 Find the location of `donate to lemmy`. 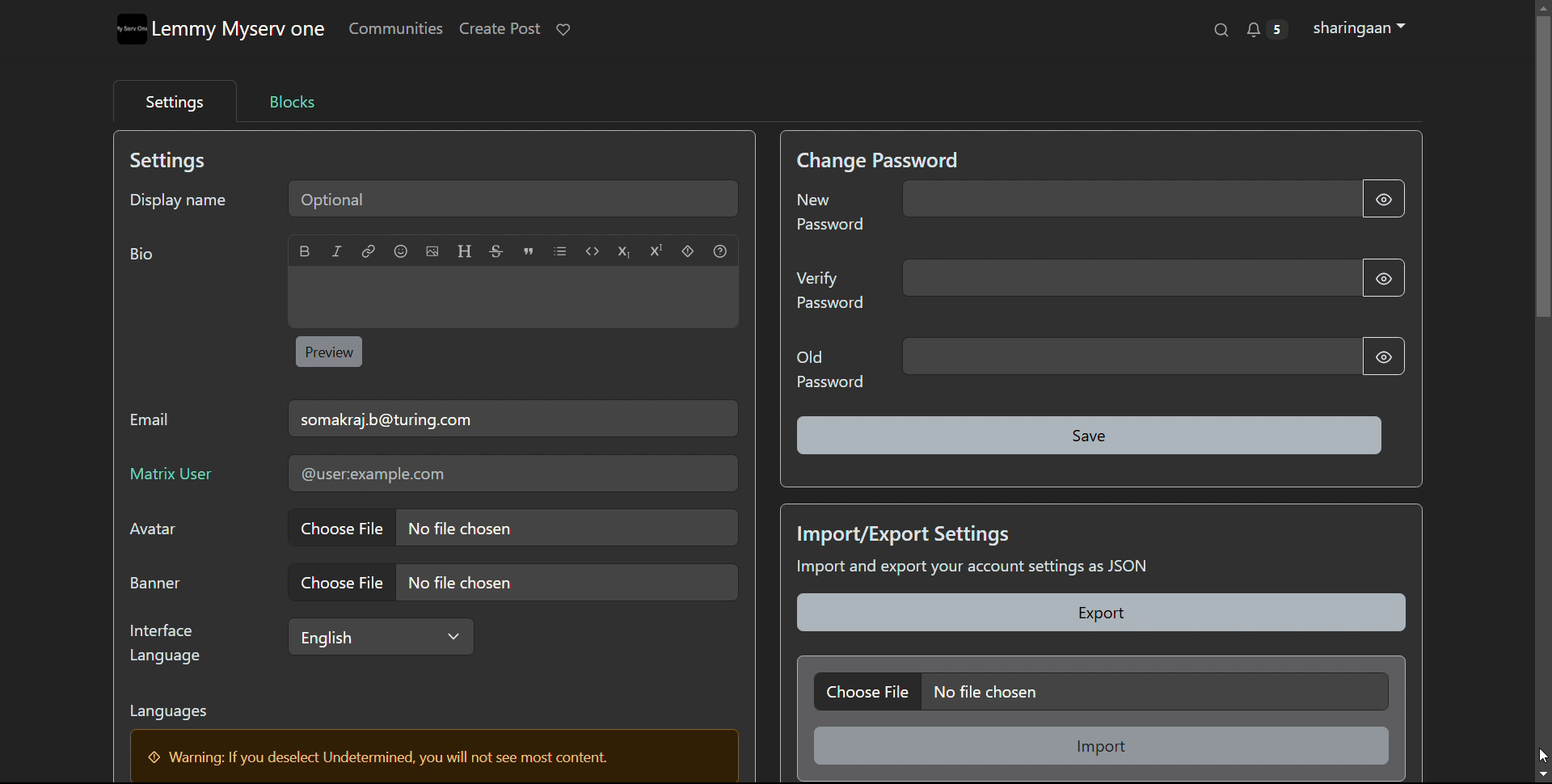

donate to lemmy is located at coordinates (564, 30).